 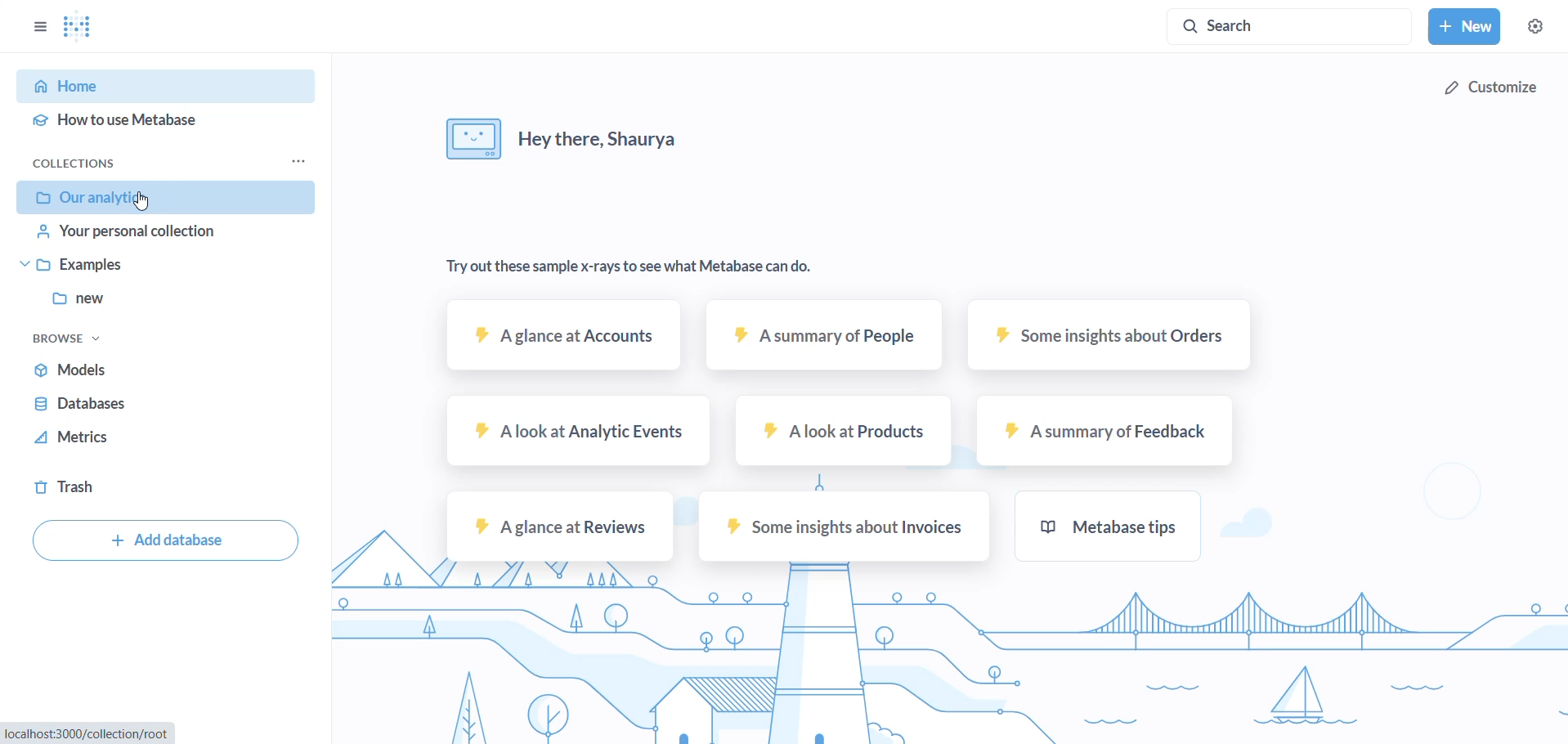 I want to click on how to use metabase, so click(x=164, y=123).